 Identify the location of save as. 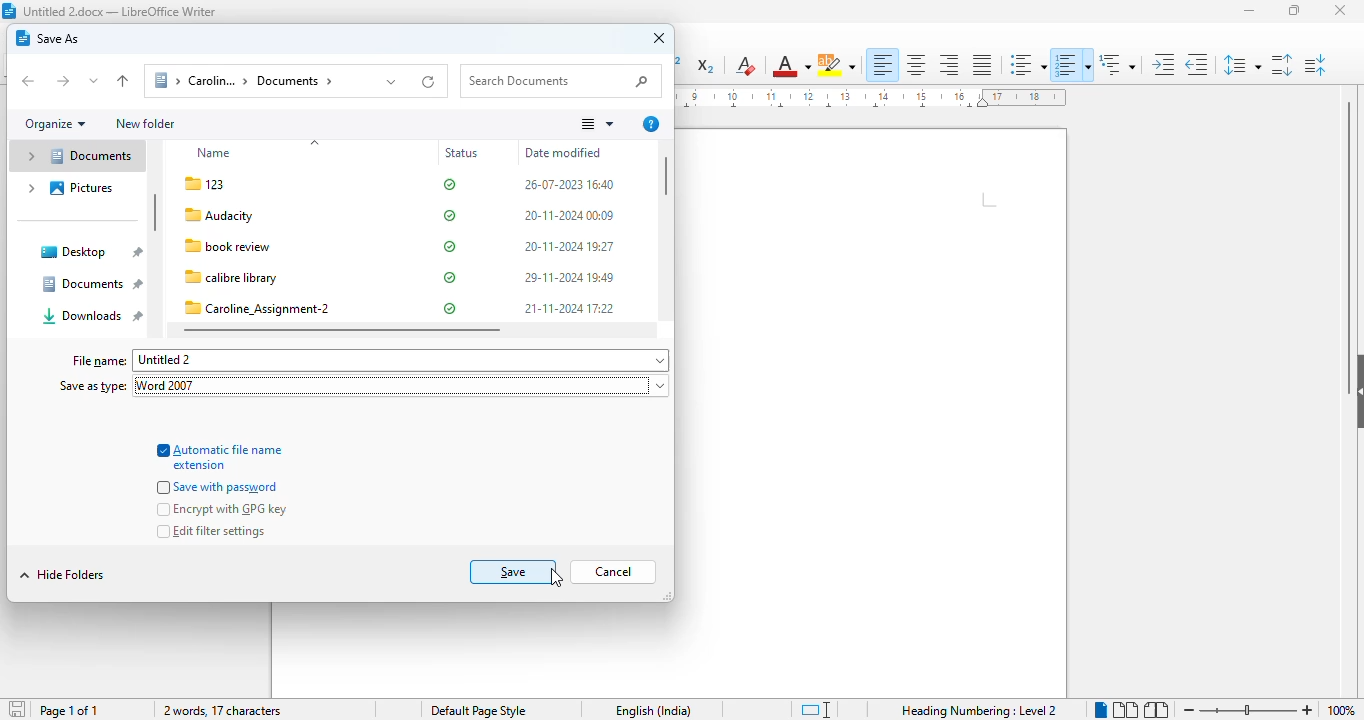
(48, 38).